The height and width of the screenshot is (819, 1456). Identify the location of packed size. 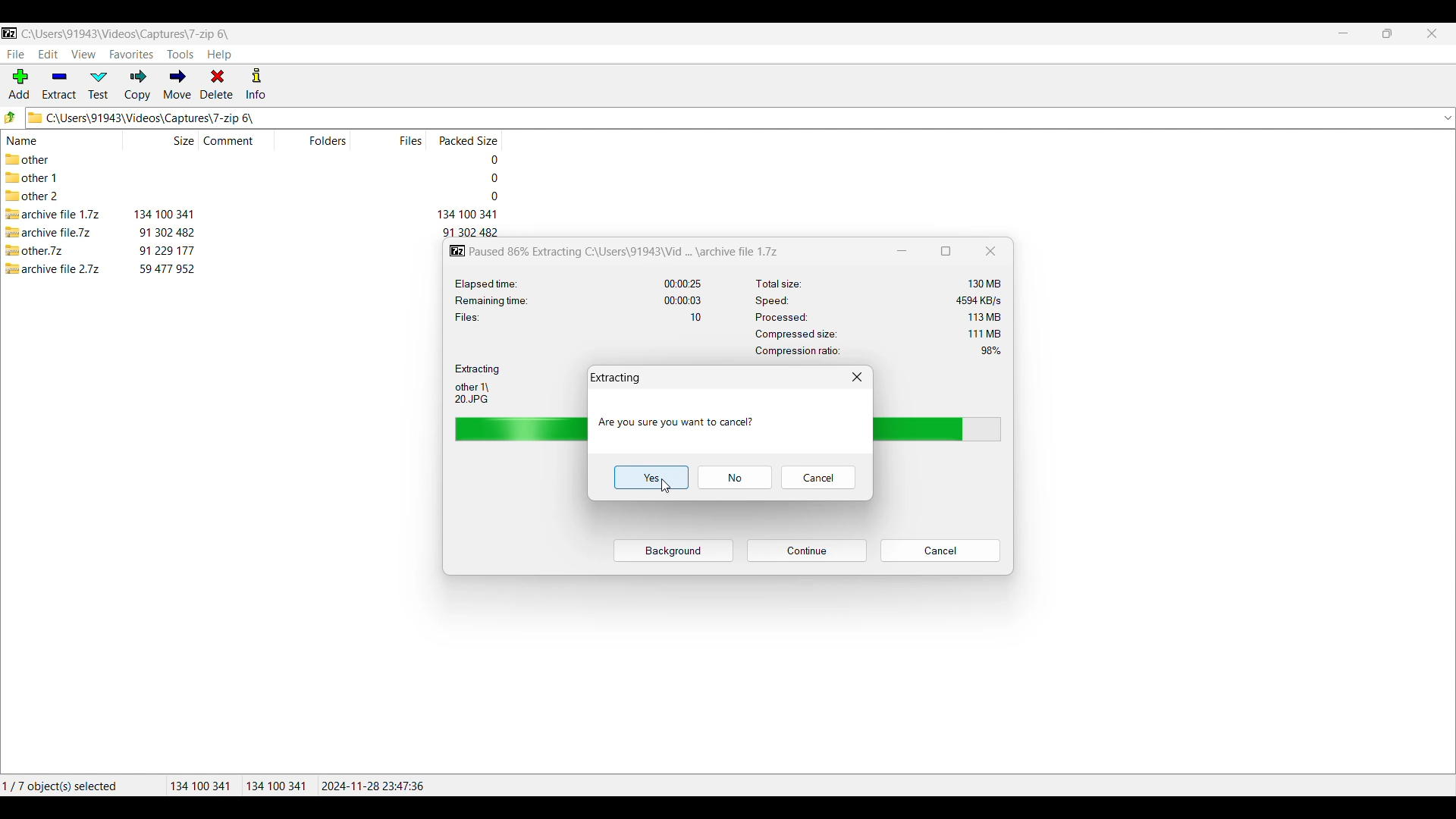
(470, 232).